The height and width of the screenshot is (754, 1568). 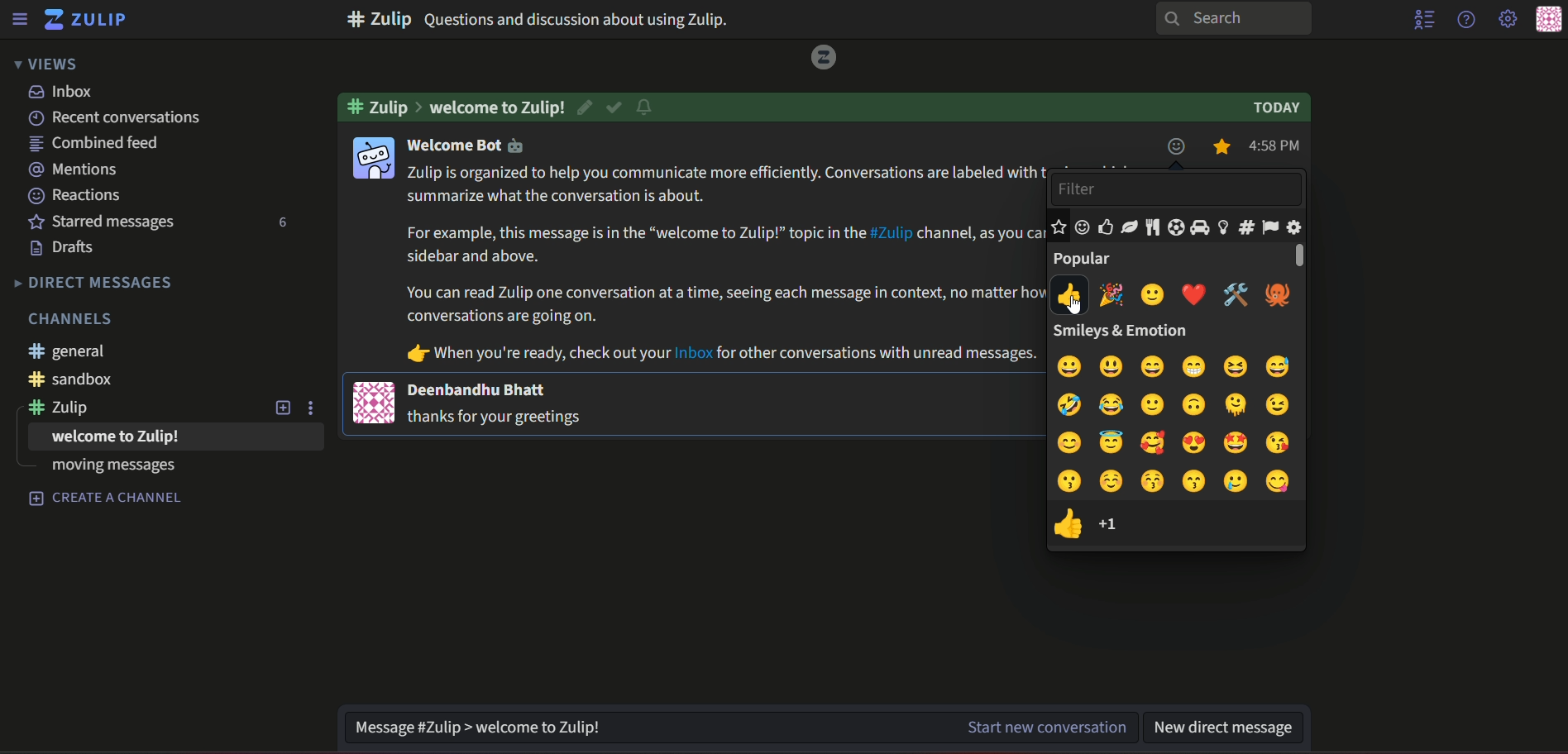 I want to click on Reactions, so click(x=75, y=193).